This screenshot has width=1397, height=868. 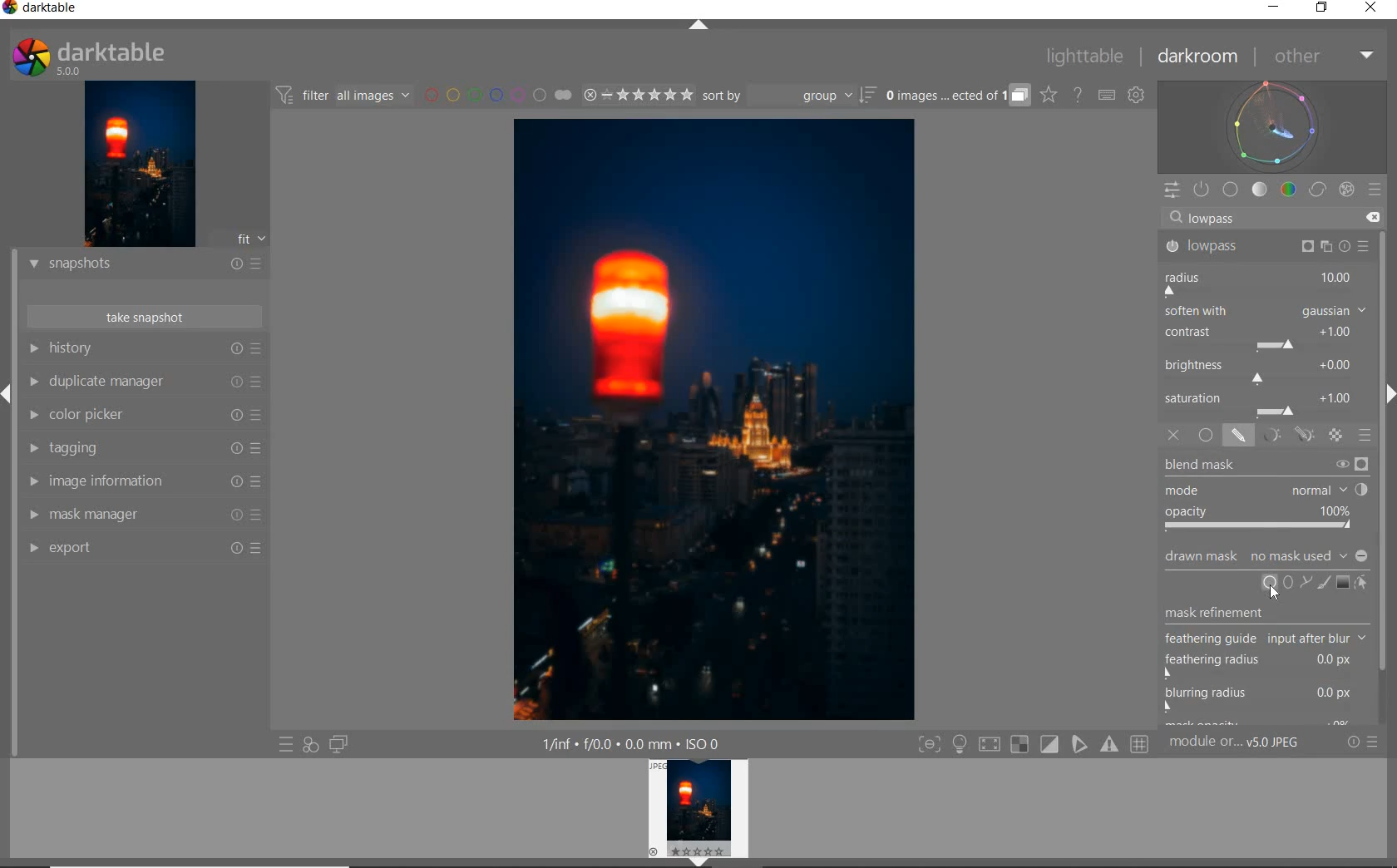 What do you see at coordinates (1260, 190) in the screenshot?
I see `TONE` at bounding box center [1260, 190].